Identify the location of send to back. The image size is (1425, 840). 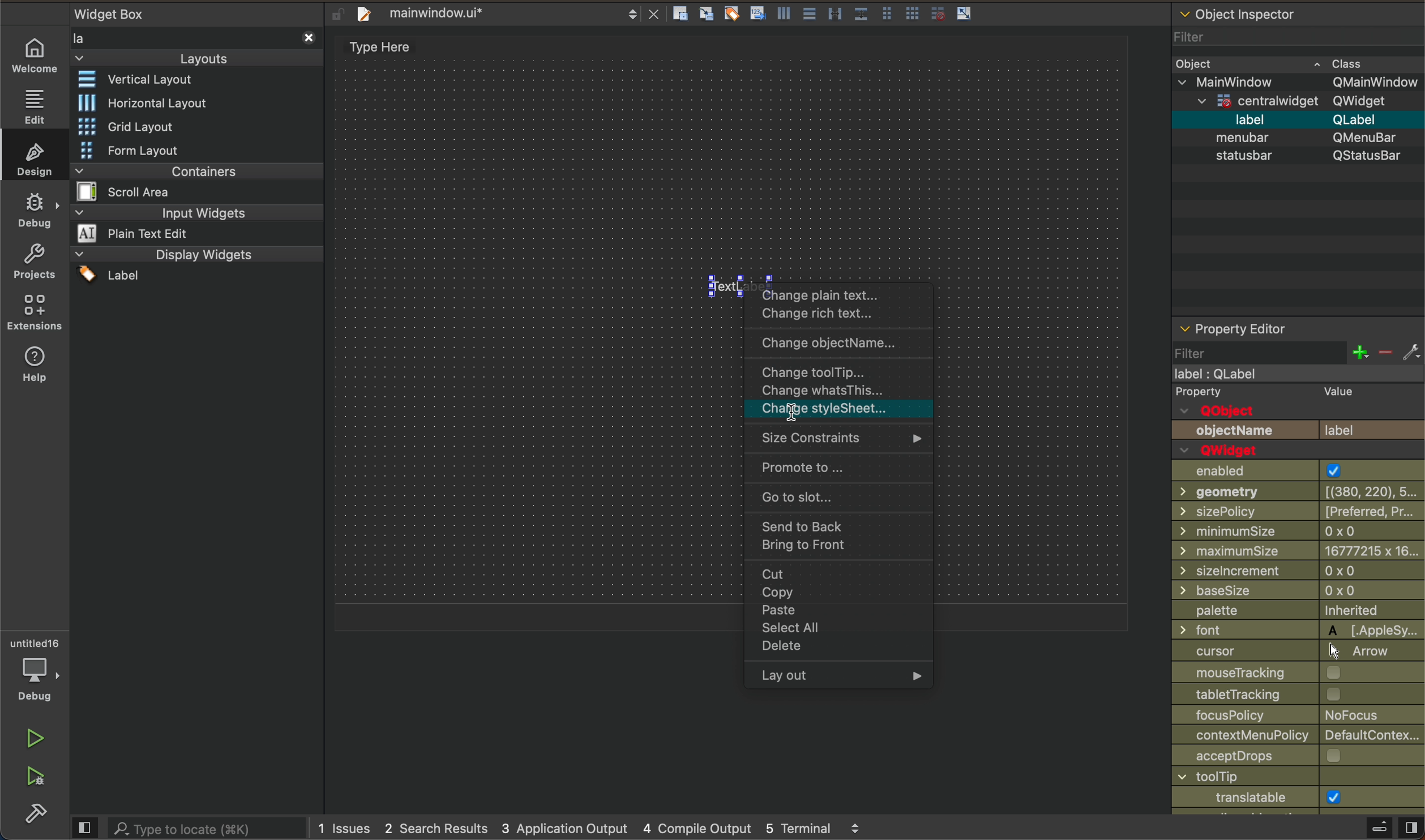
(835, 526).